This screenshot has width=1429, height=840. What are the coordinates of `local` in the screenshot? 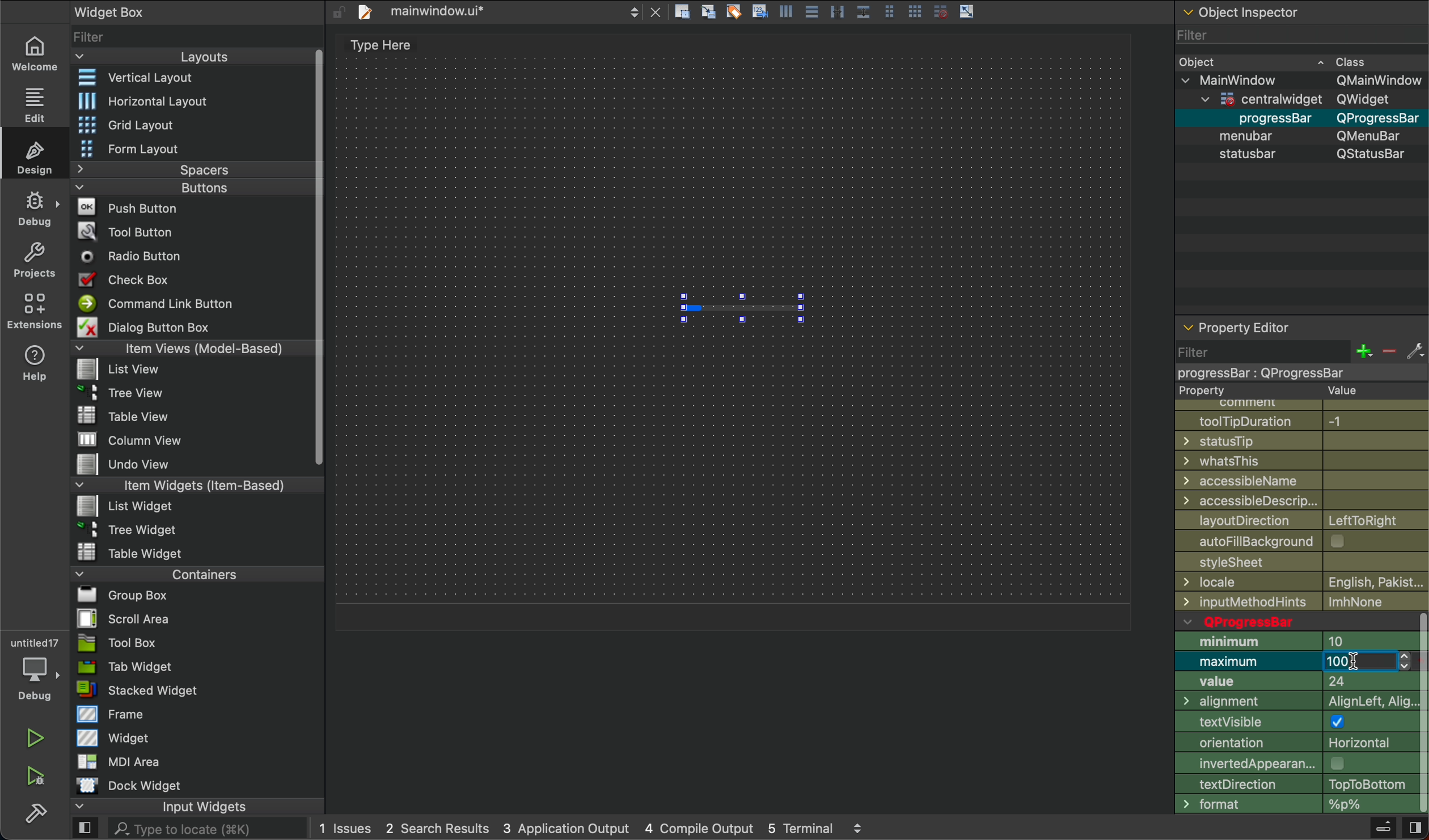 It's located at (1304, 602).